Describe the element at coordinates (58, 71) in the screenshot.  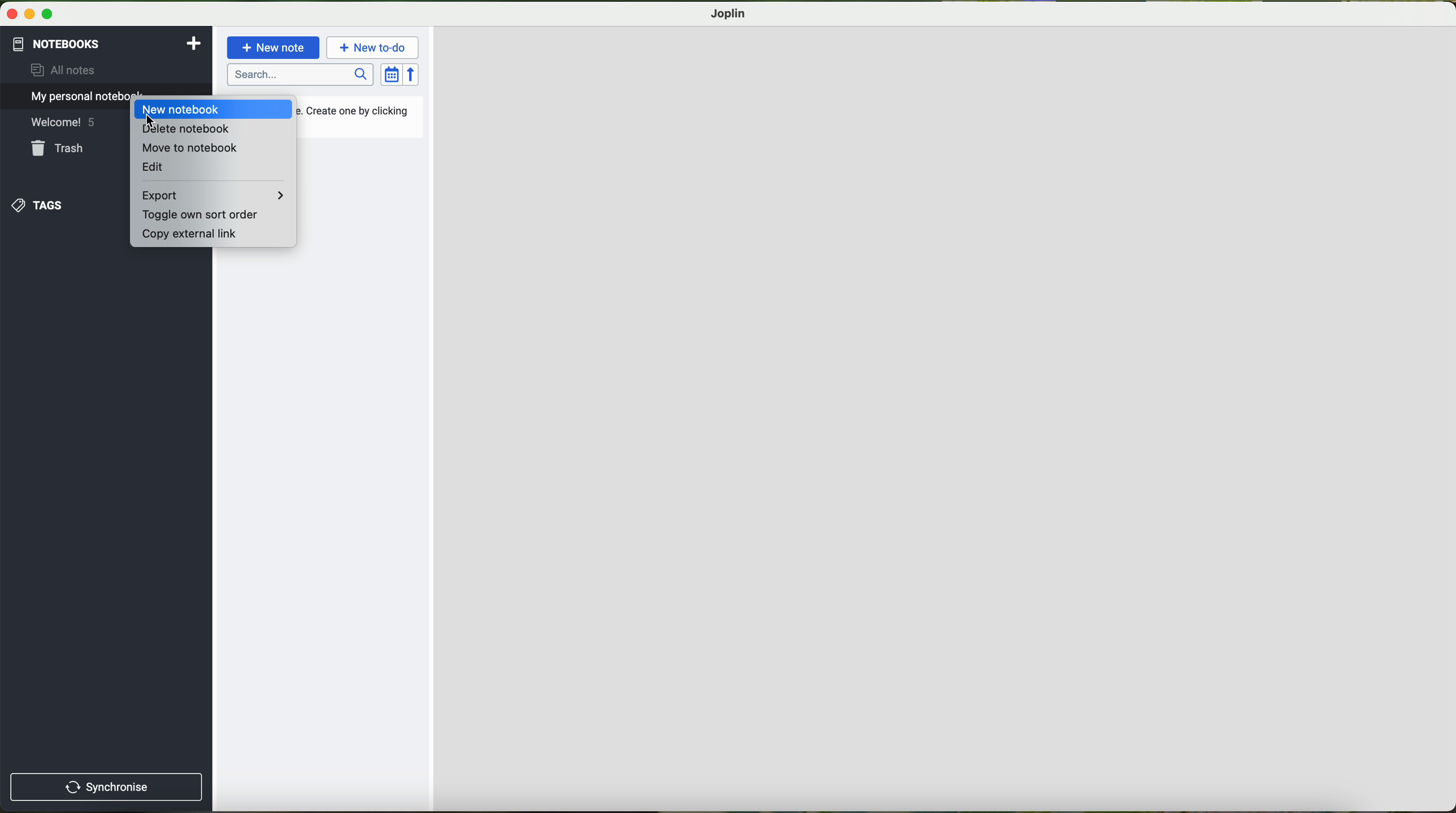
I see `all notes` at that location.